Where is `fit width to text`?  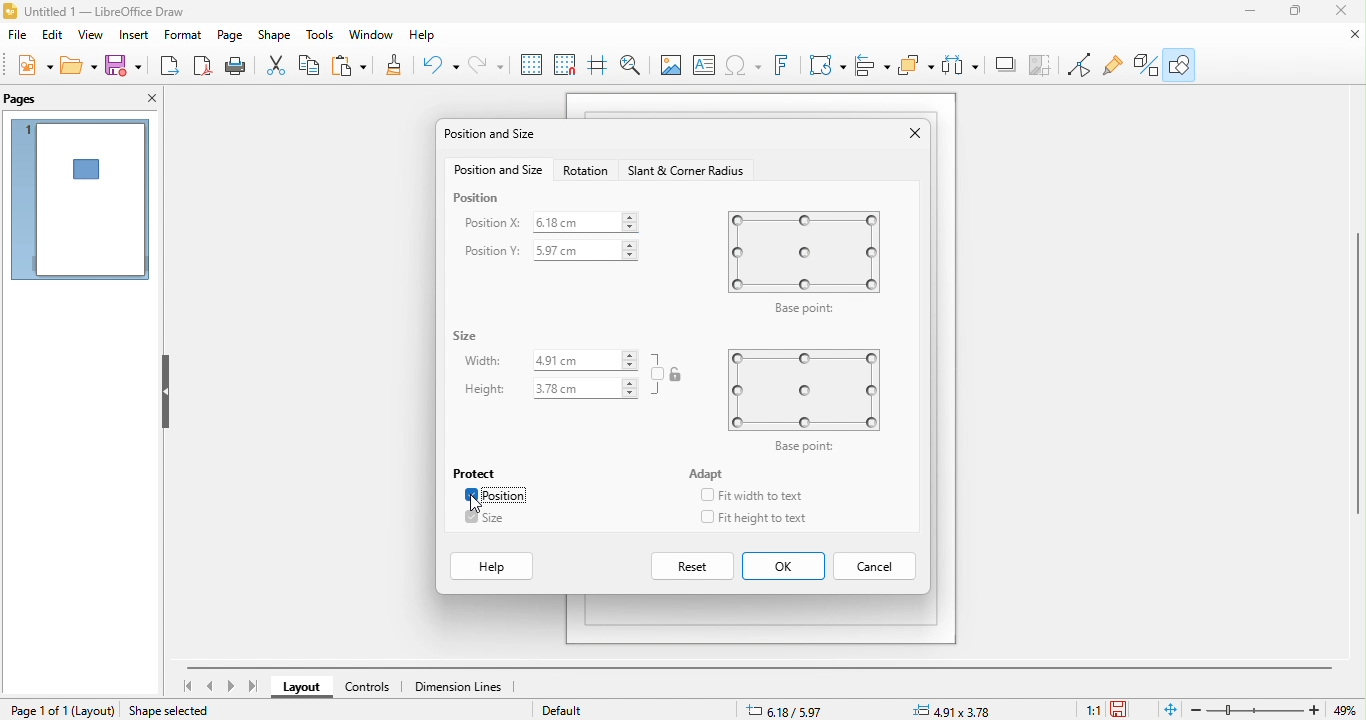 fit width to text is located at coordinates (762, 496).